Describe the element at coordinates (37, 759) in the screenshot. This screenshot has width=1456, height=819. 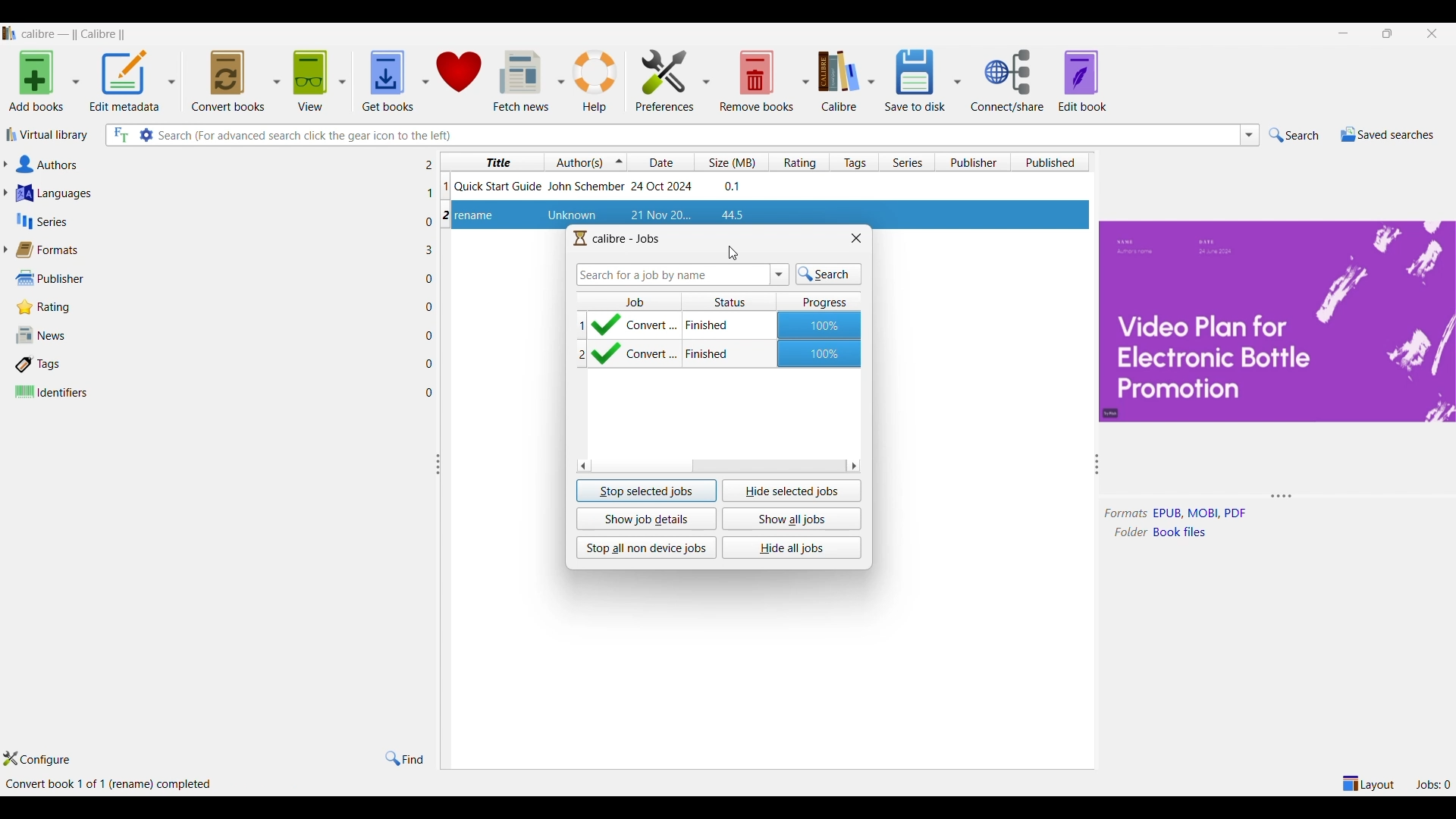
I see `Configure` at that location.